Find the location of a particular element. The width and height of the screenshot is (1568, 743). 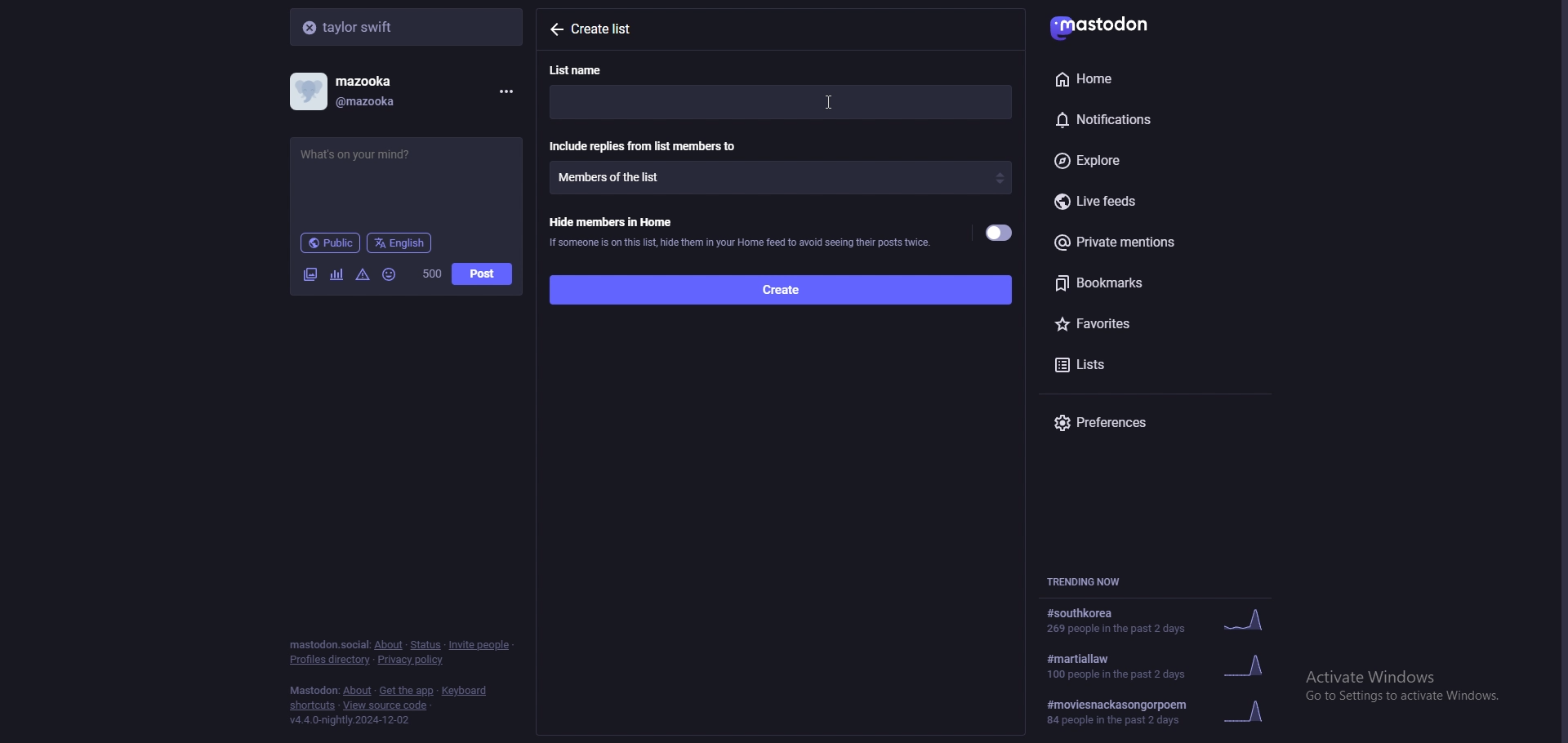

create is located at coordinates (779, 288).